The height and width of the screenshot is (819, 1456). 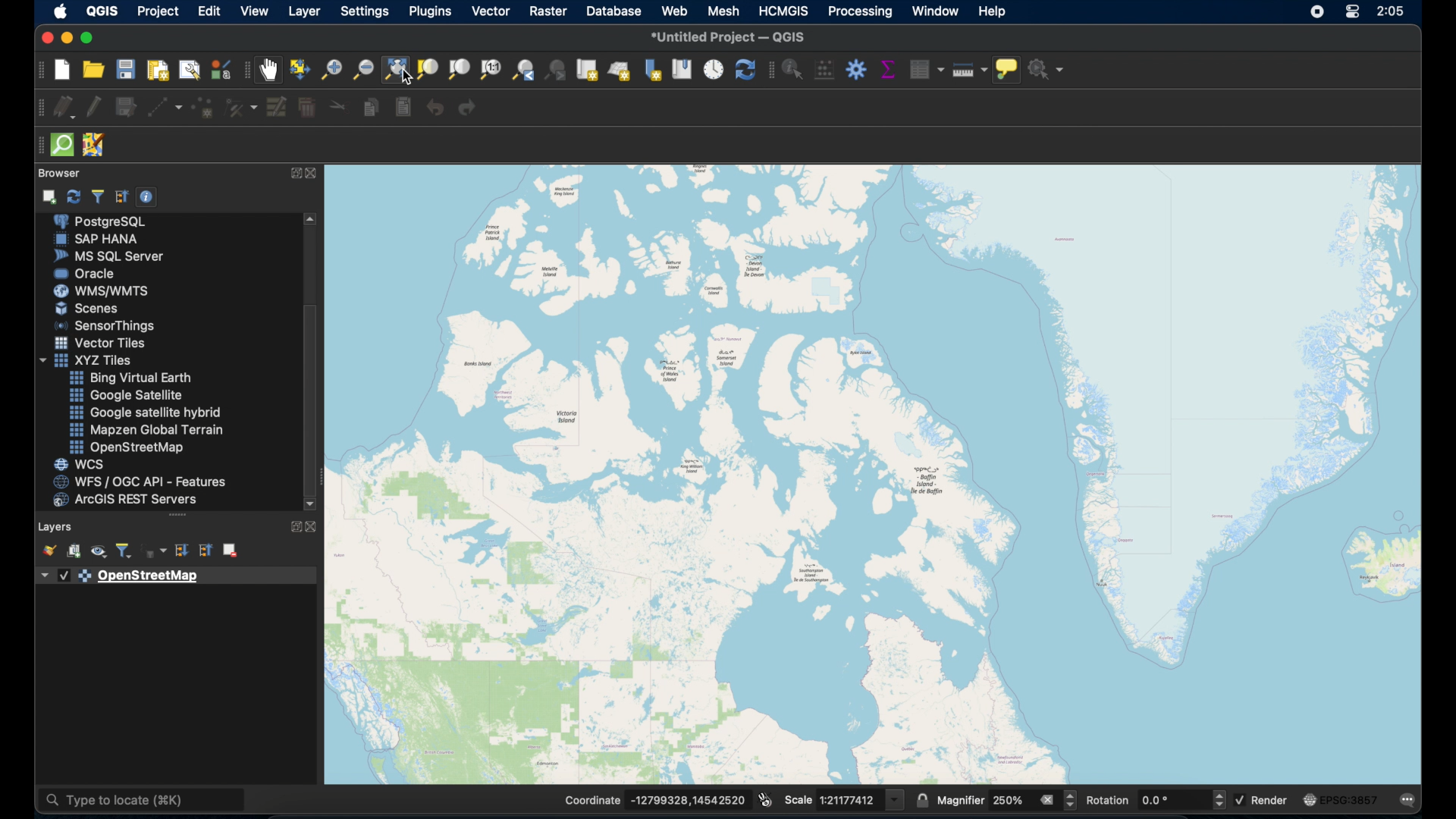 I want to click on new spatial bookmarks, so click(x=654, y=70).